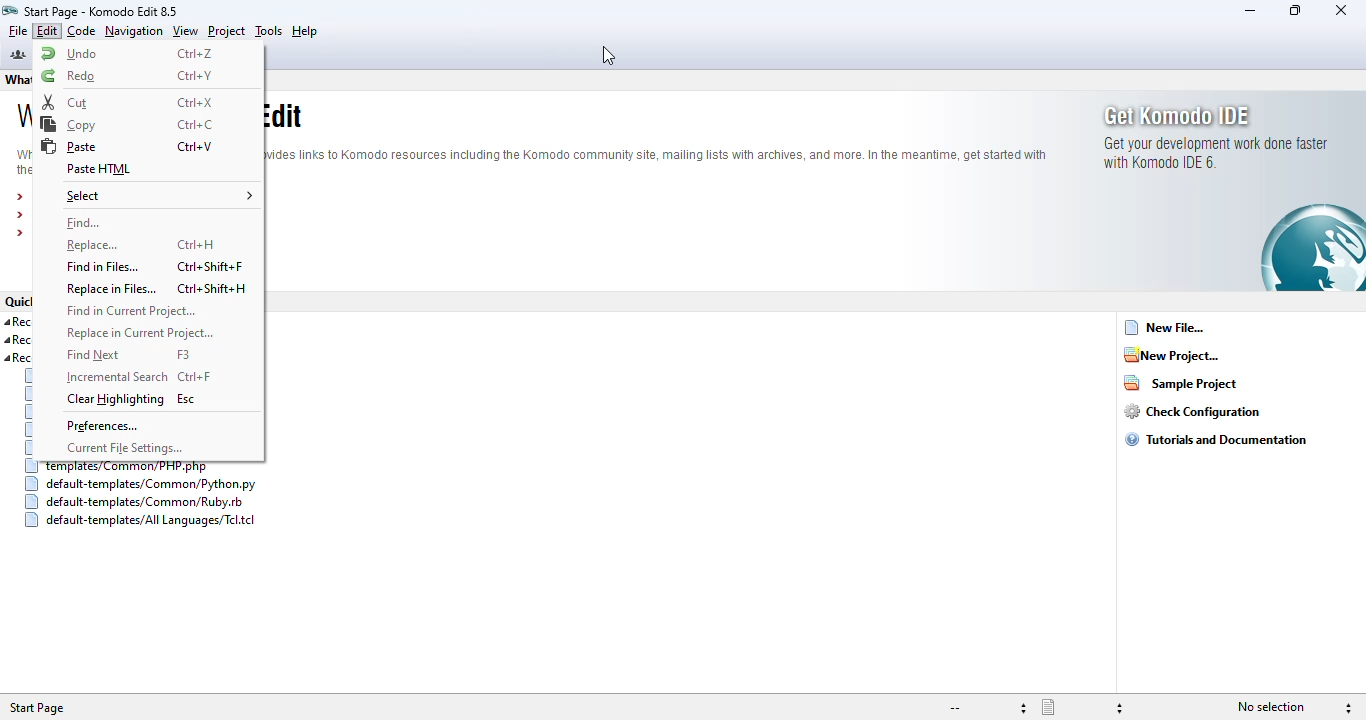 This screenshot has height=720, width=1366. I want to click on minimize, so click(1250, 11).